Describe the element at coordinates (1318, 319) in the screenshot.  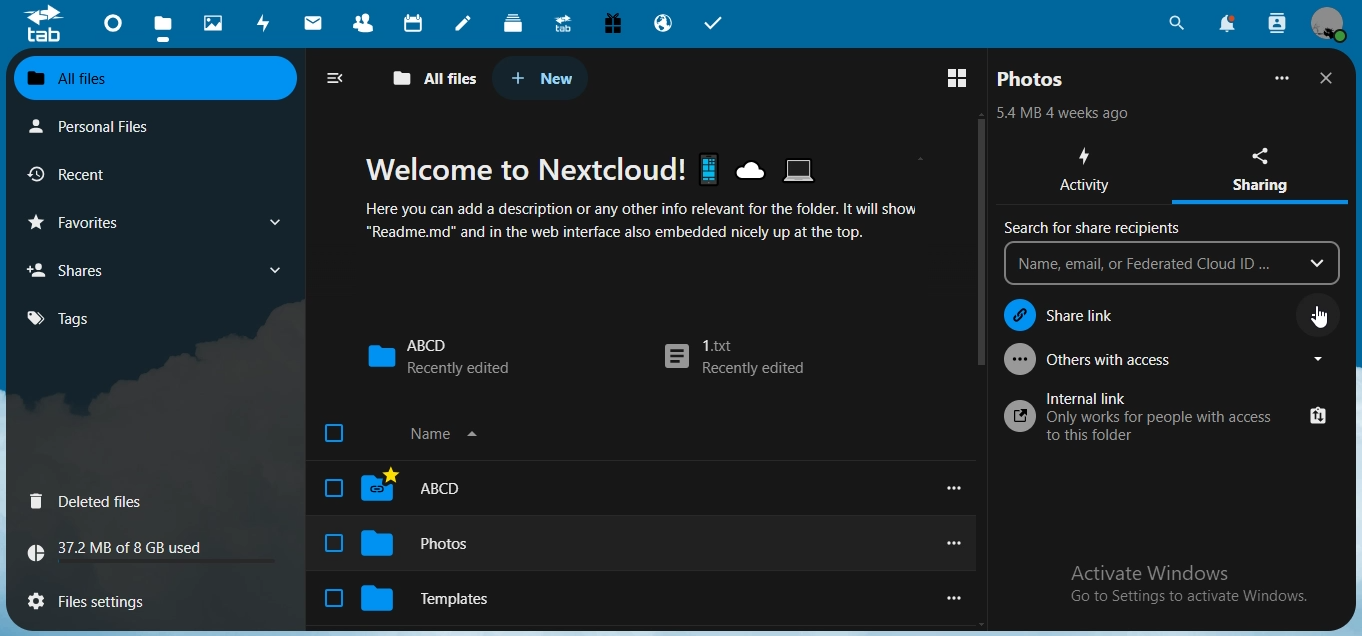
I see `cursor` at that location.